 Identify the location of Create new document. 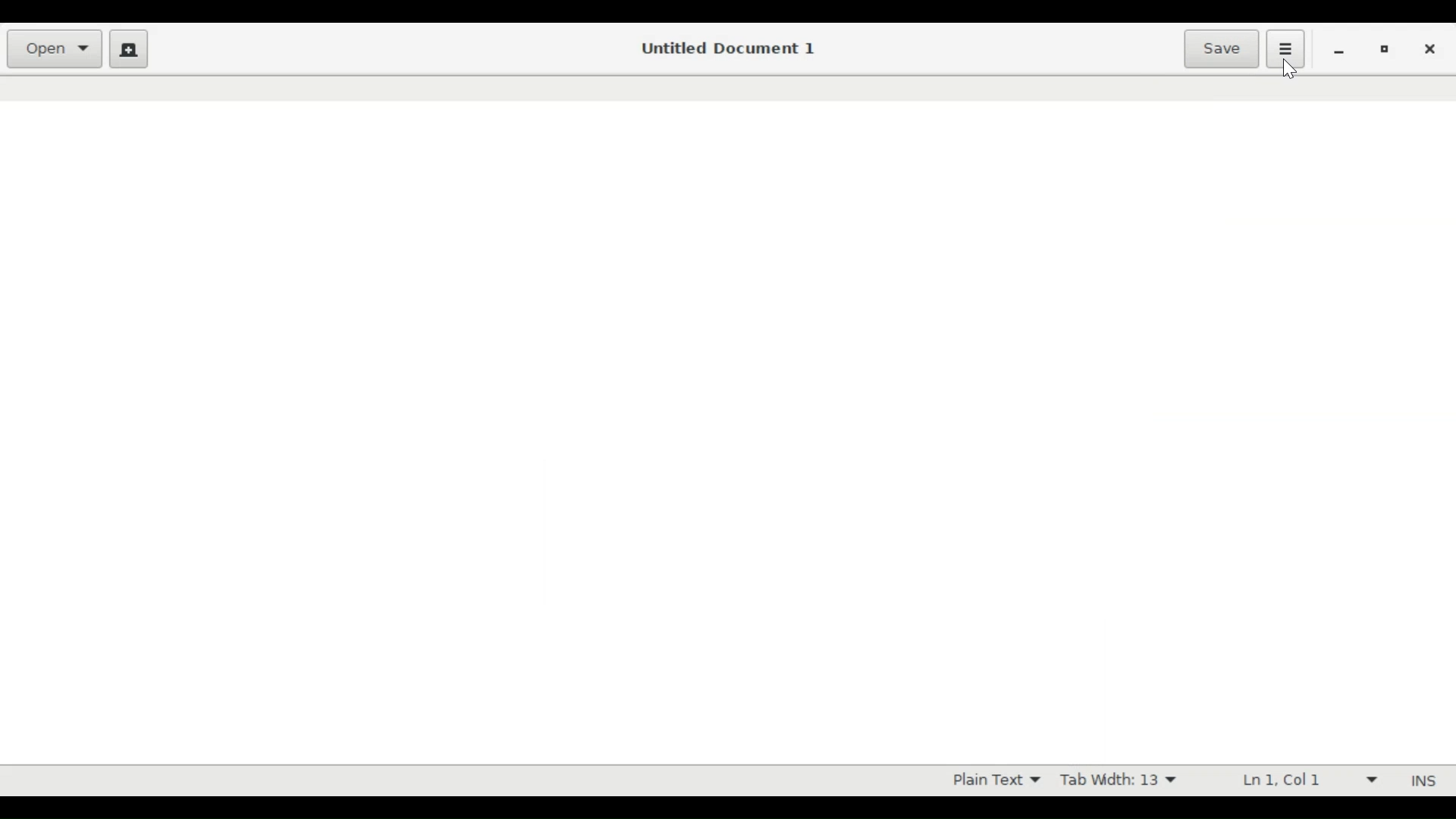
(129, 49).